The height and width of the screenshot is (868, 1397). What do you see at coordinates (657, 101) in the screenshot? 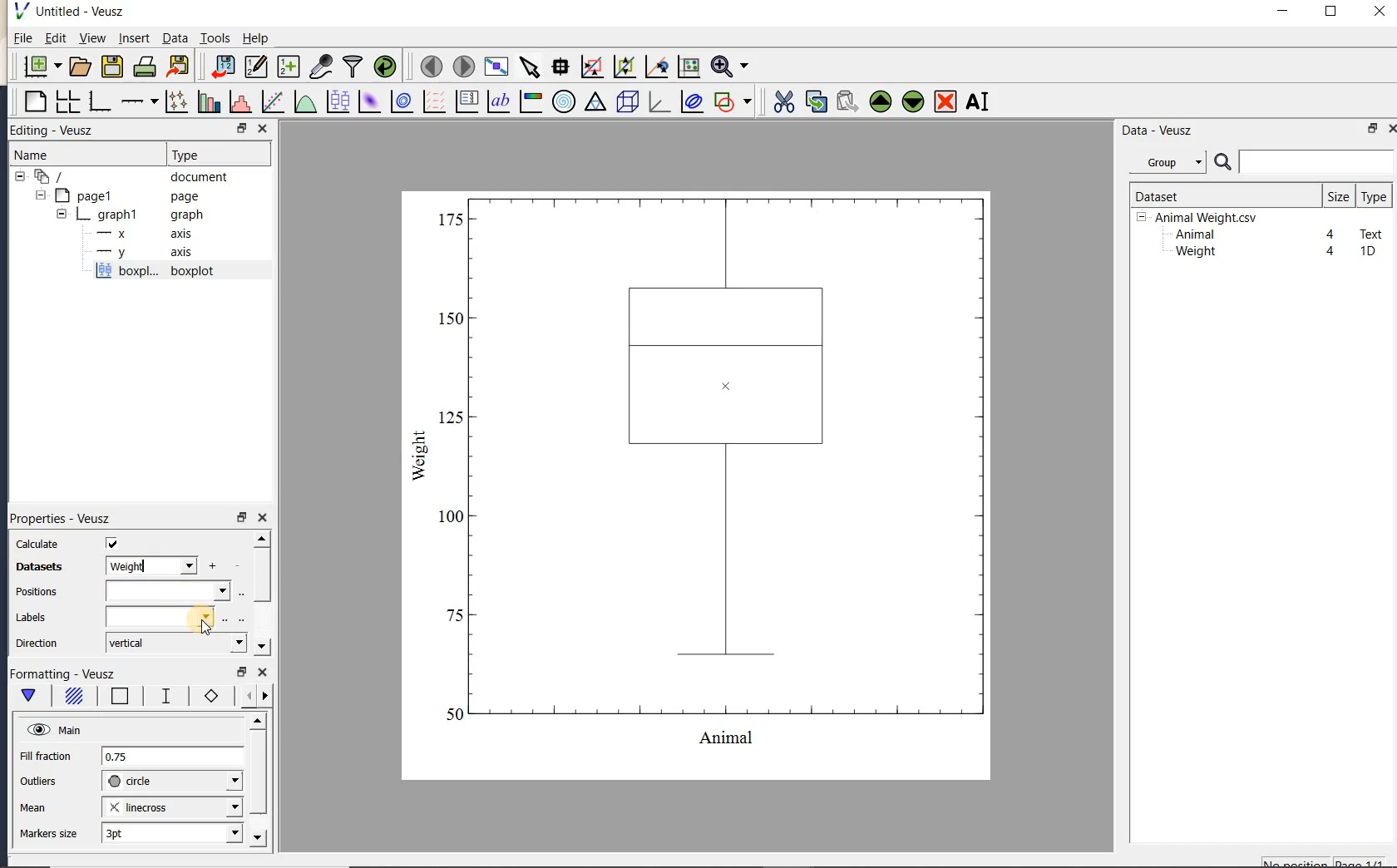
I see `3d graph` at bounding box center [657, 101].